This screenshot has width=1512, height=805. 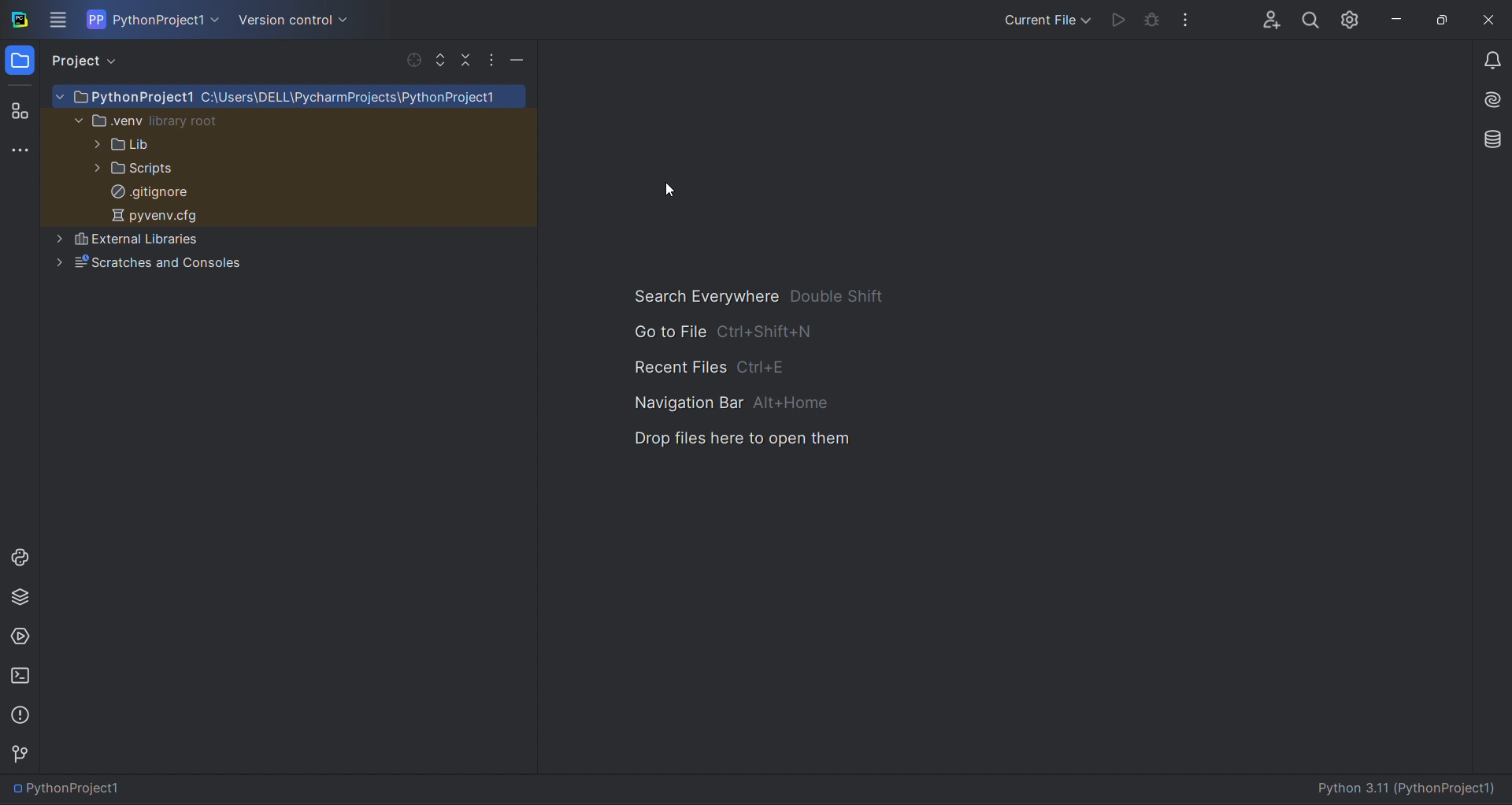 I want to click on project name, so click(x=151, y=19).